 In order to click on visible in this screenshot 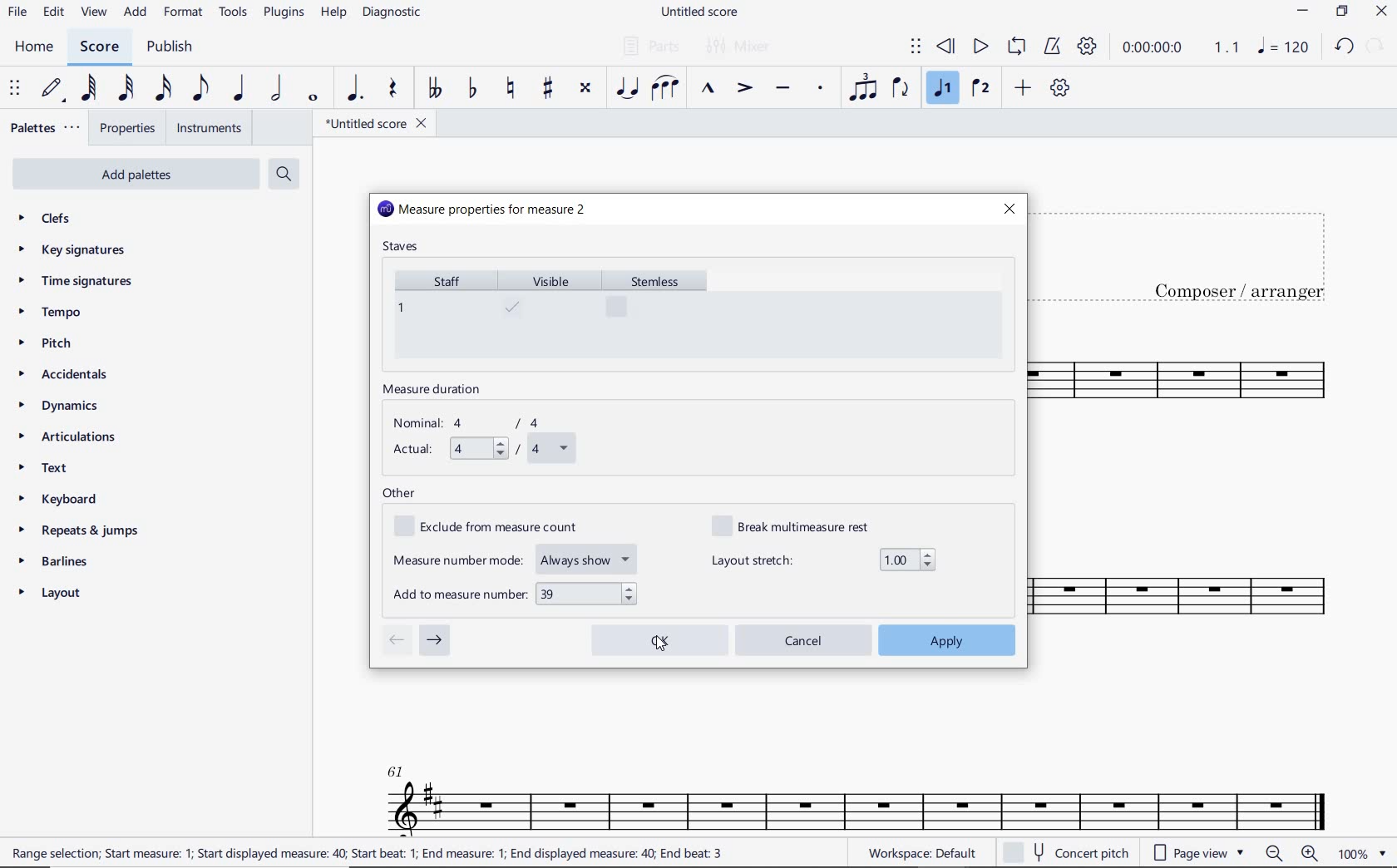, I will do `click(550, 313)`.